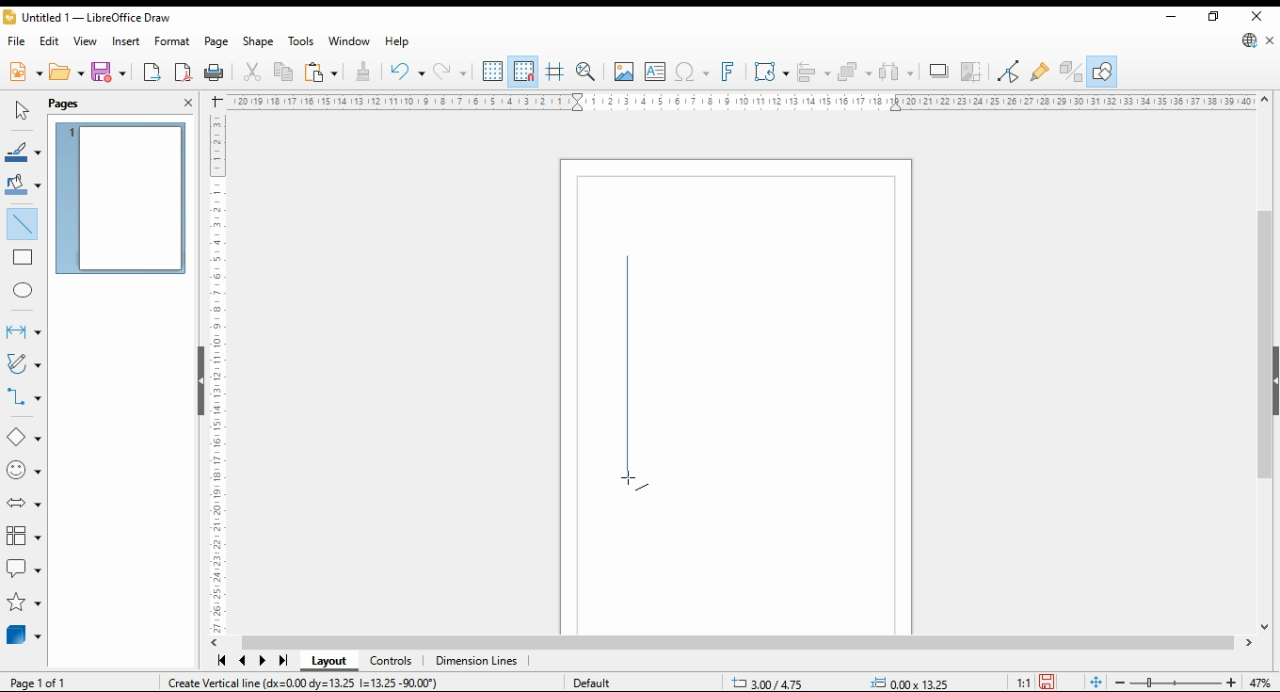 Image resolution: width=1280 pixels, height=692 pixels. I want to click on curves and polygons, so click(22, 365).